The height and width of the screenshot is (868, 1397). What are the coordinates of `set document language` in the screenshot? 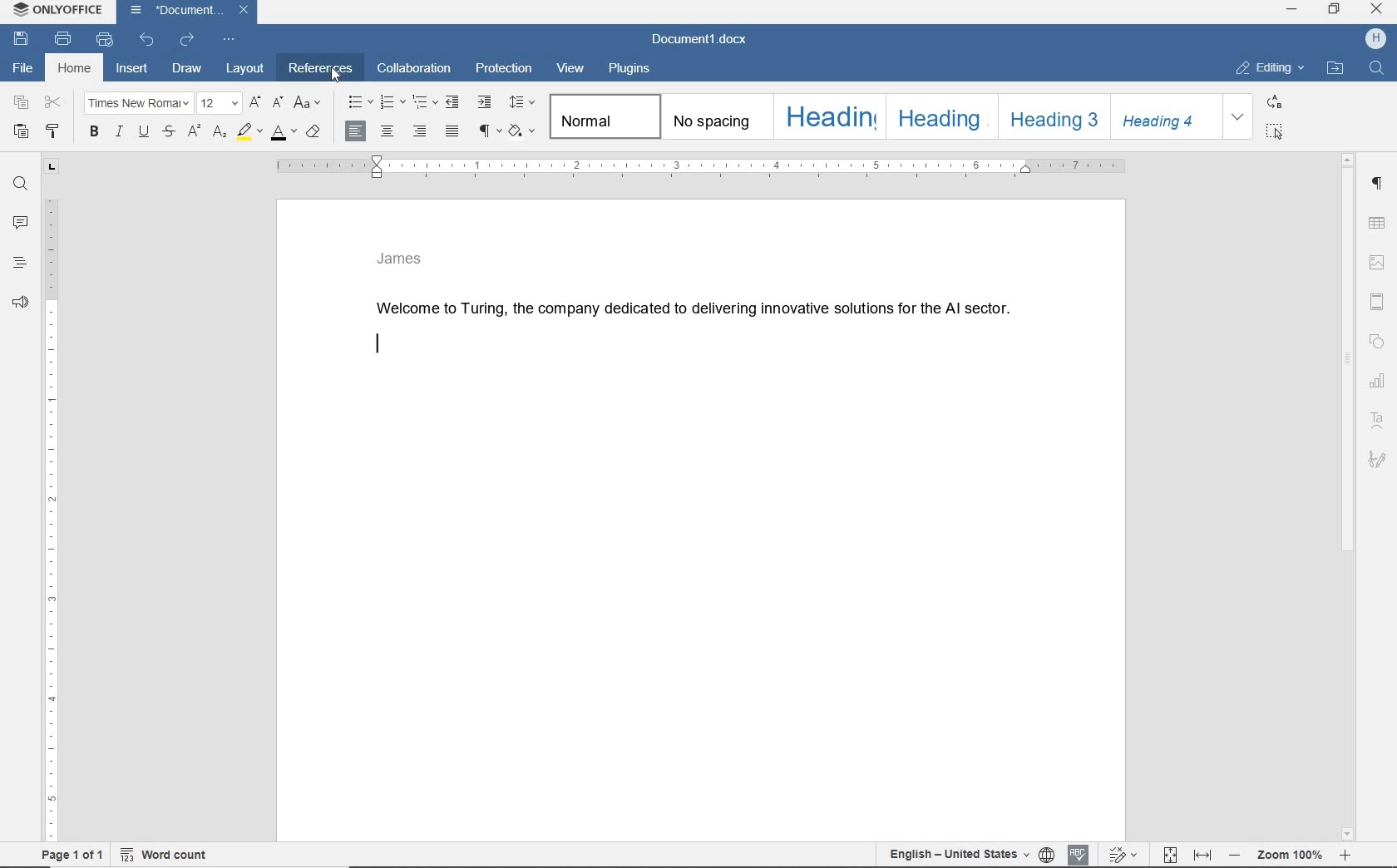 It's located at (1047, 856).